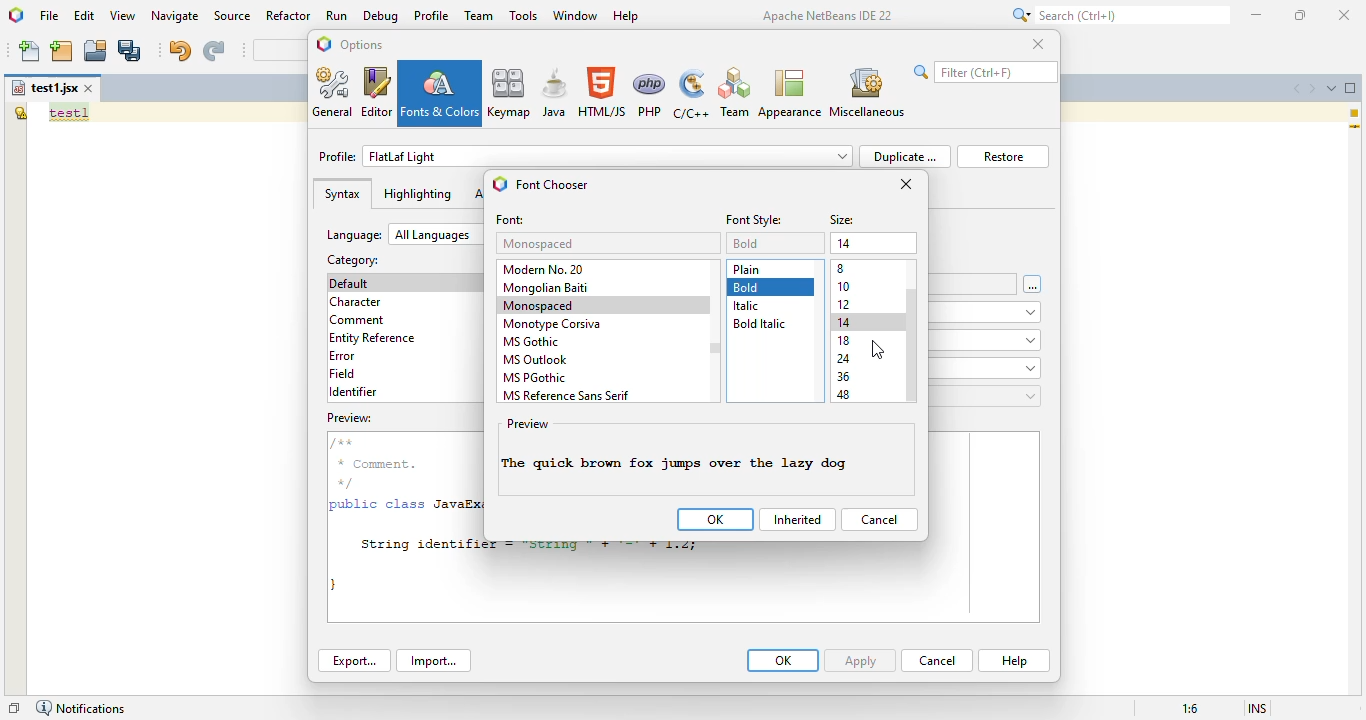 Image resolution: width=1366 pixels, height=720 pixels. I want to click on 1 warning, so click(1357, 113).